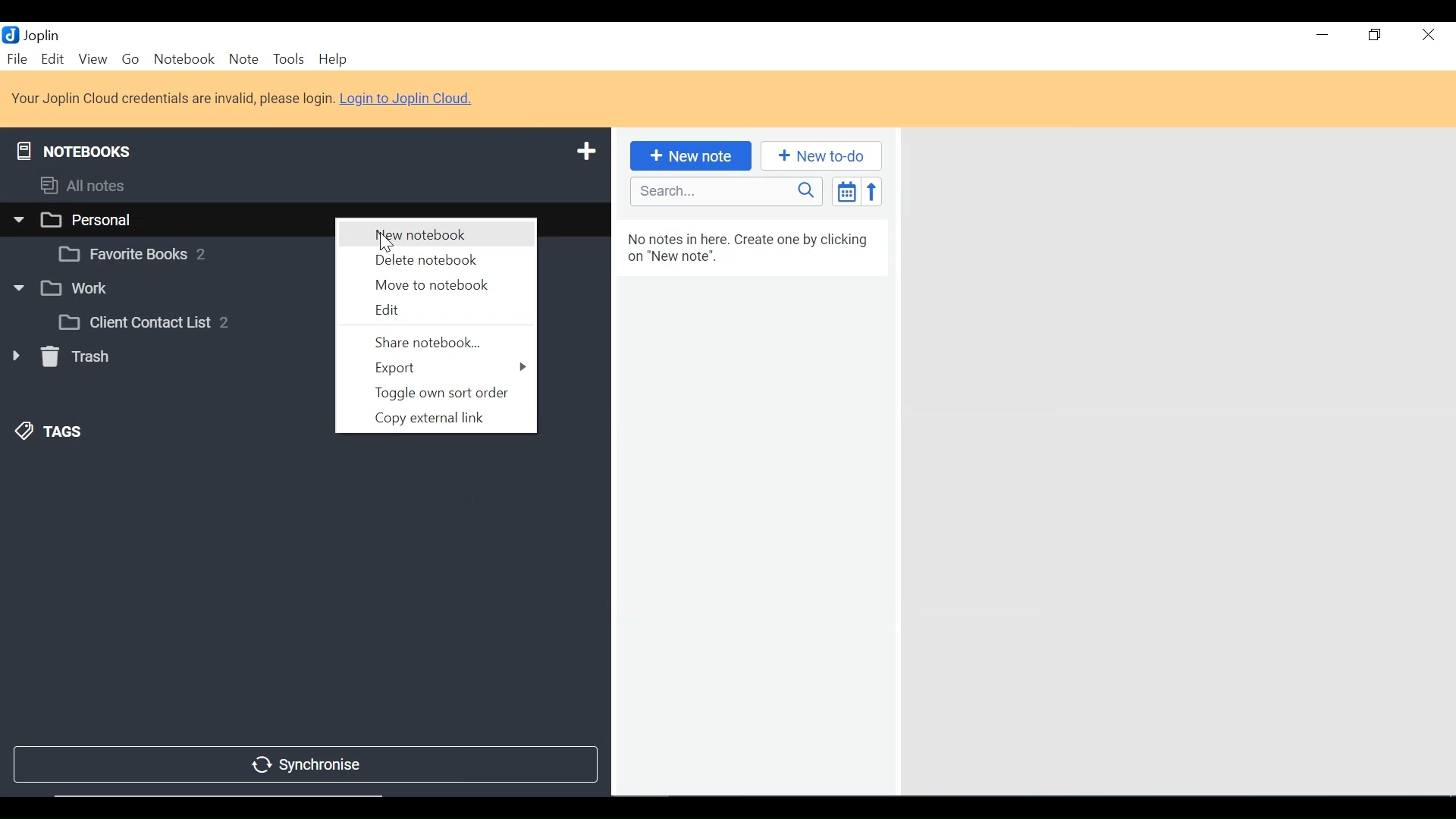 This screenshot has height=819, width=1456. Describe the element at coordinates (164, 290) in the screenshot. I see `Notebook` at that location.